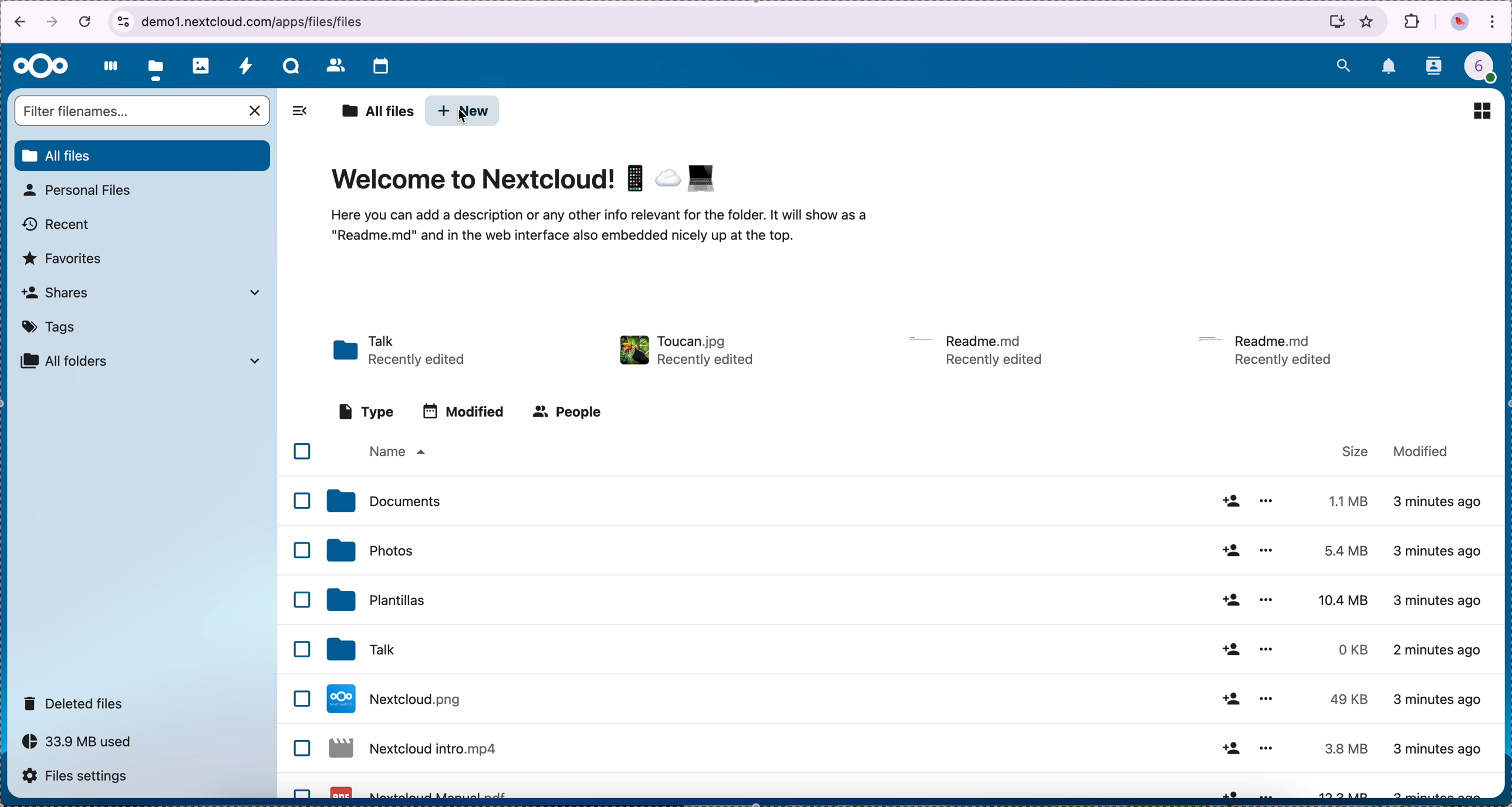 Image resolution: width=1512 pixels, height=807 pixels. What do you see at coordinates (1229, 650) in the screenshot?
I see `share` at bounding box center [1229, 650].